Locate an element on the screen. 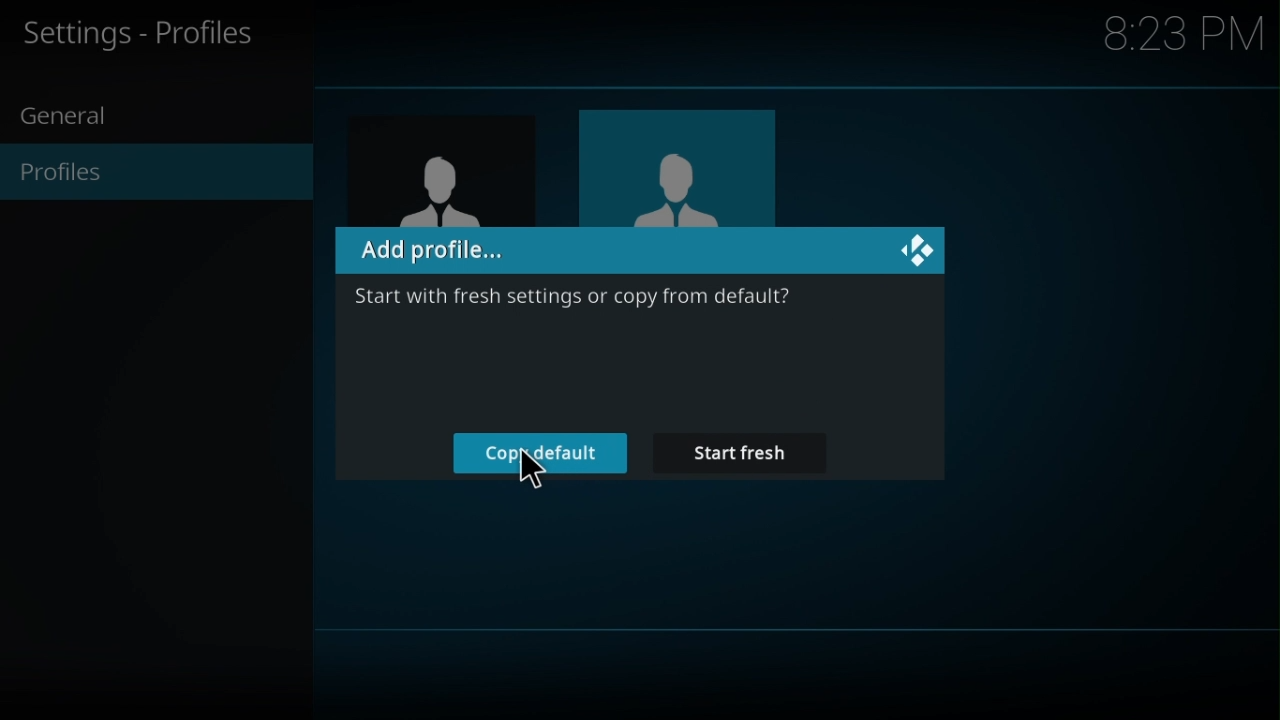  contact is located at coordinates (446, 171).